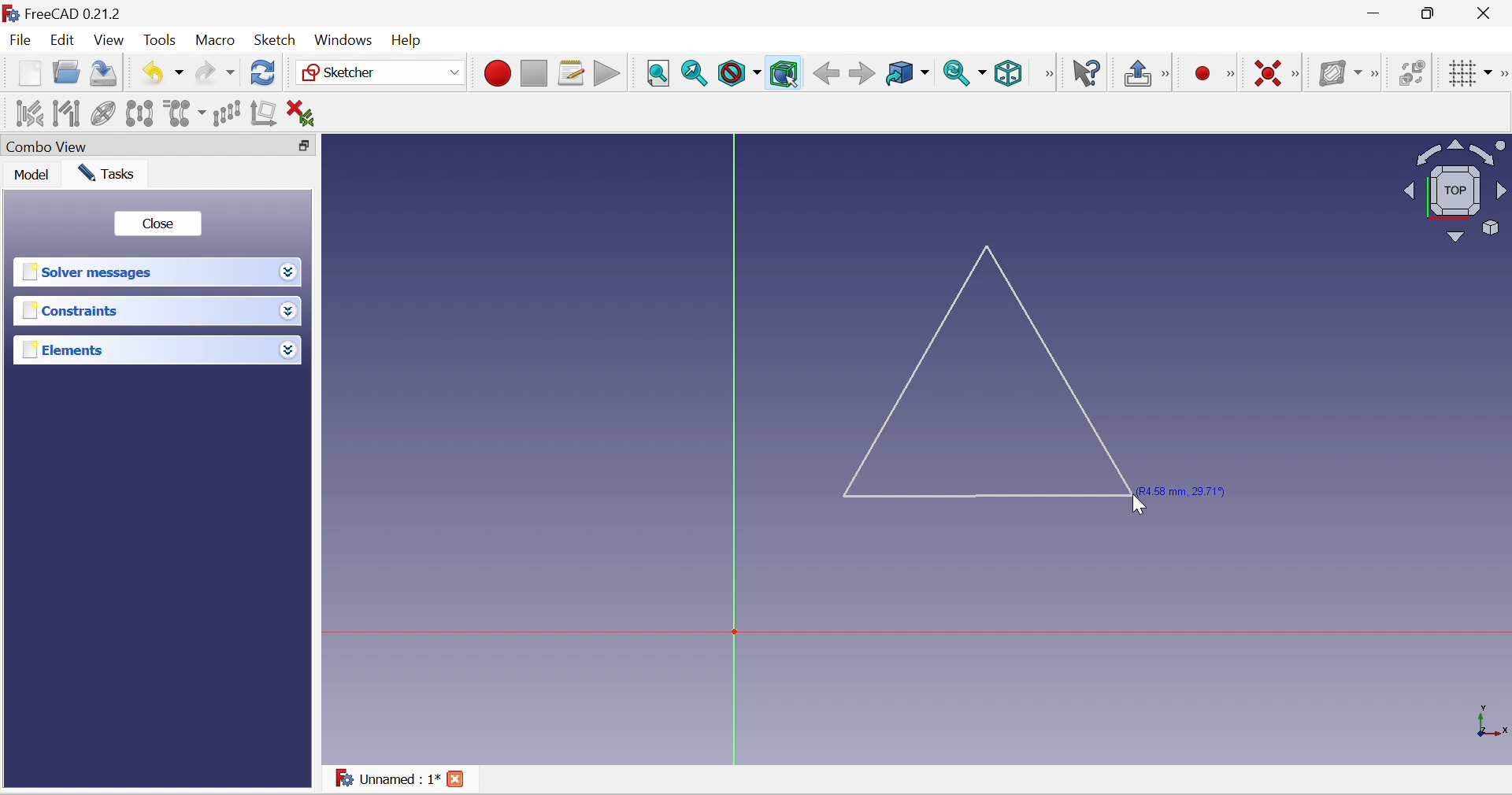 The image size is (1512, 795). I want to click on Show/hide B-spline information layer, so click(1340, 74).